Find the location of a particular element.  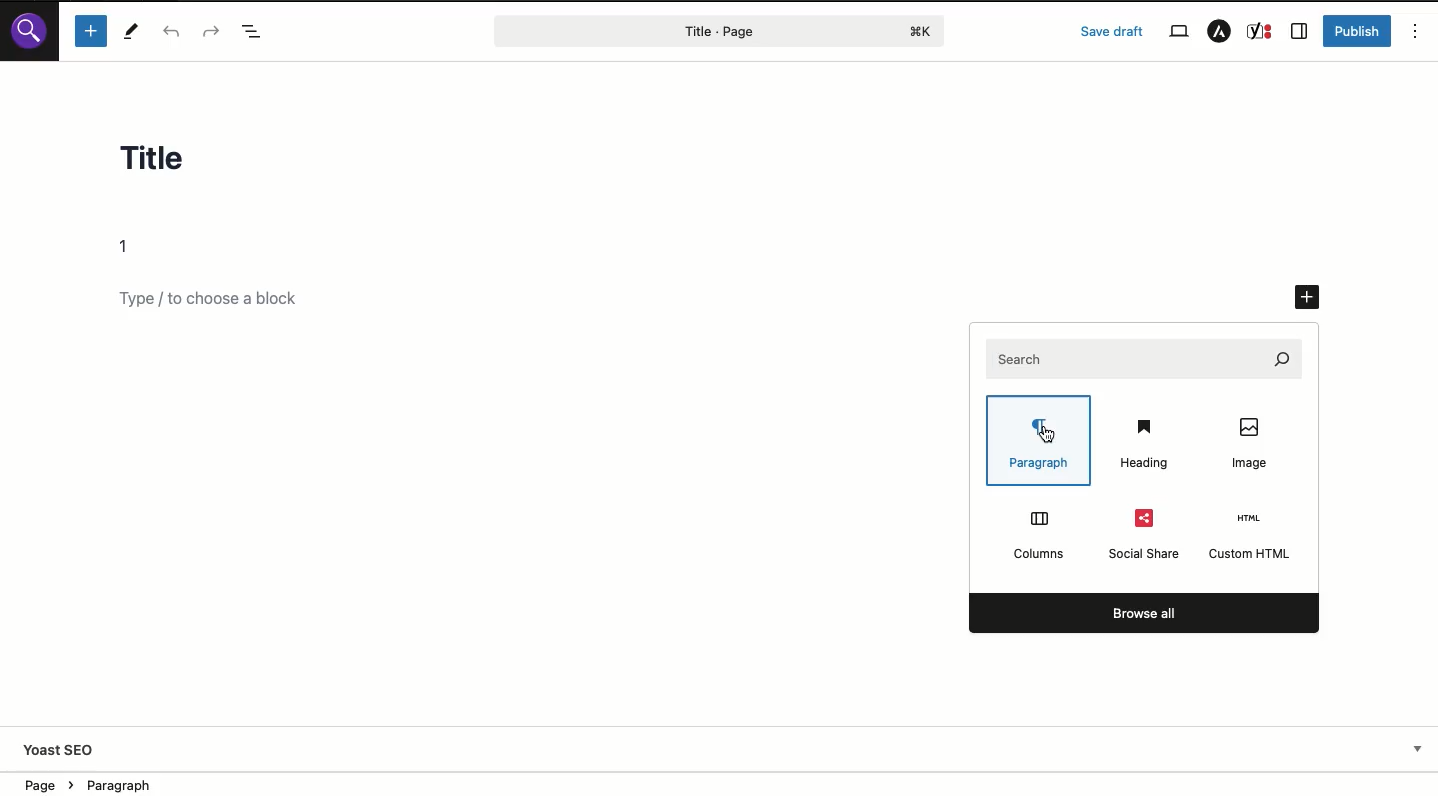

Sidebar is located at coordinates (1299, 32).